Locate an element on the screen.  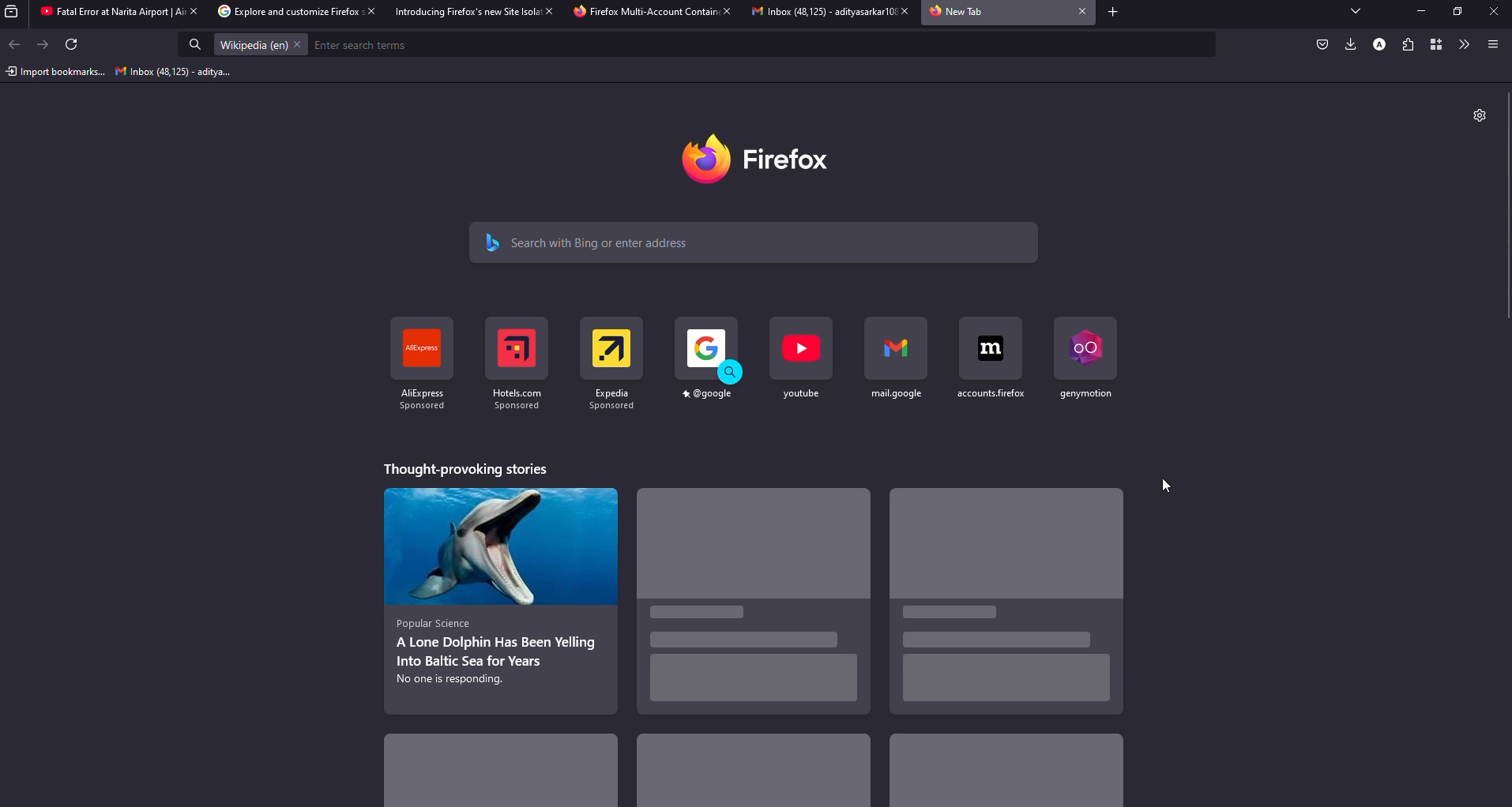
save to packet is located at coordinates (1322, 43).